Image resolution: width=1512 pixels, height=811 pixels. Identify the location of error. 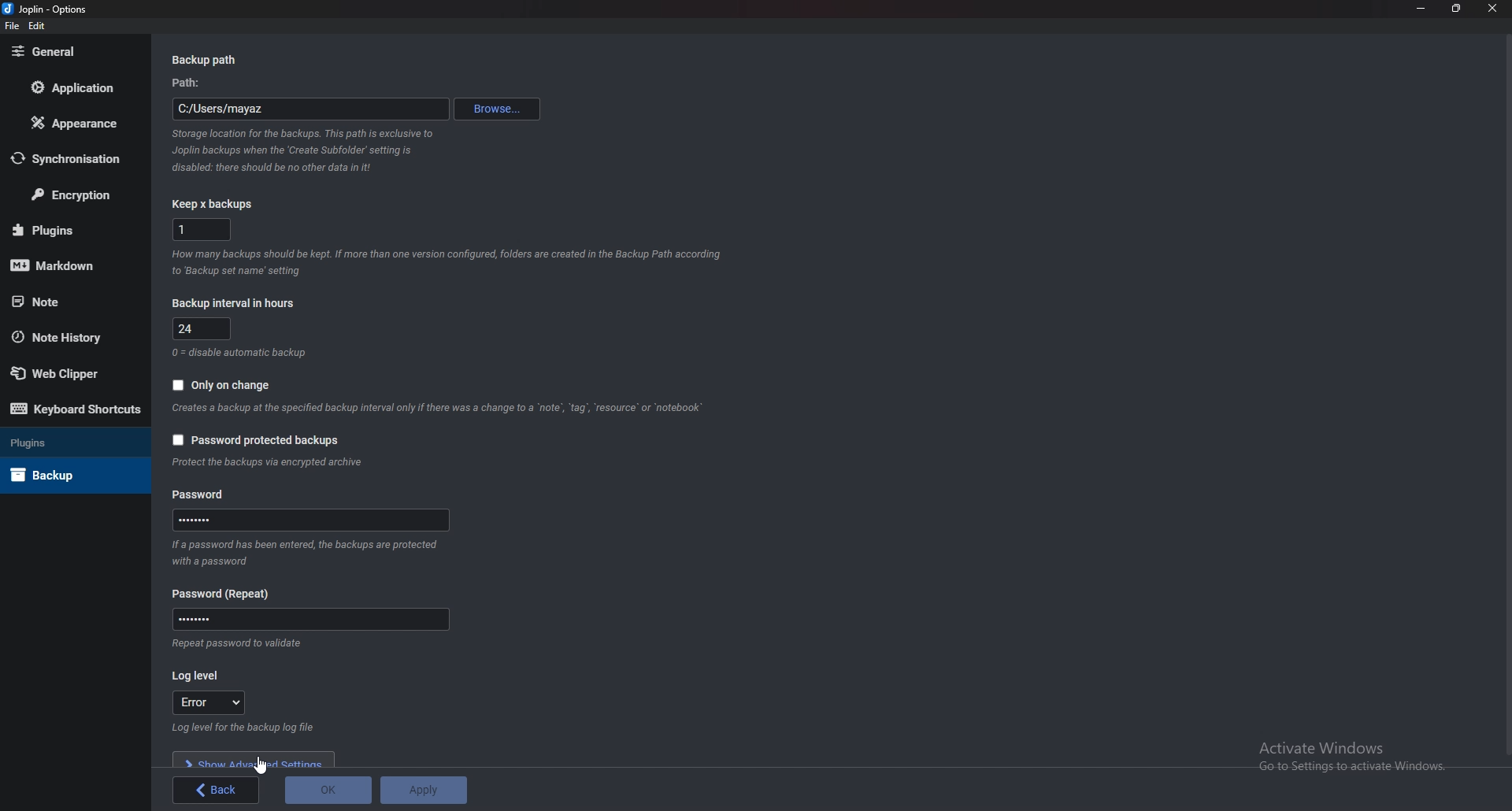
(215, 702).